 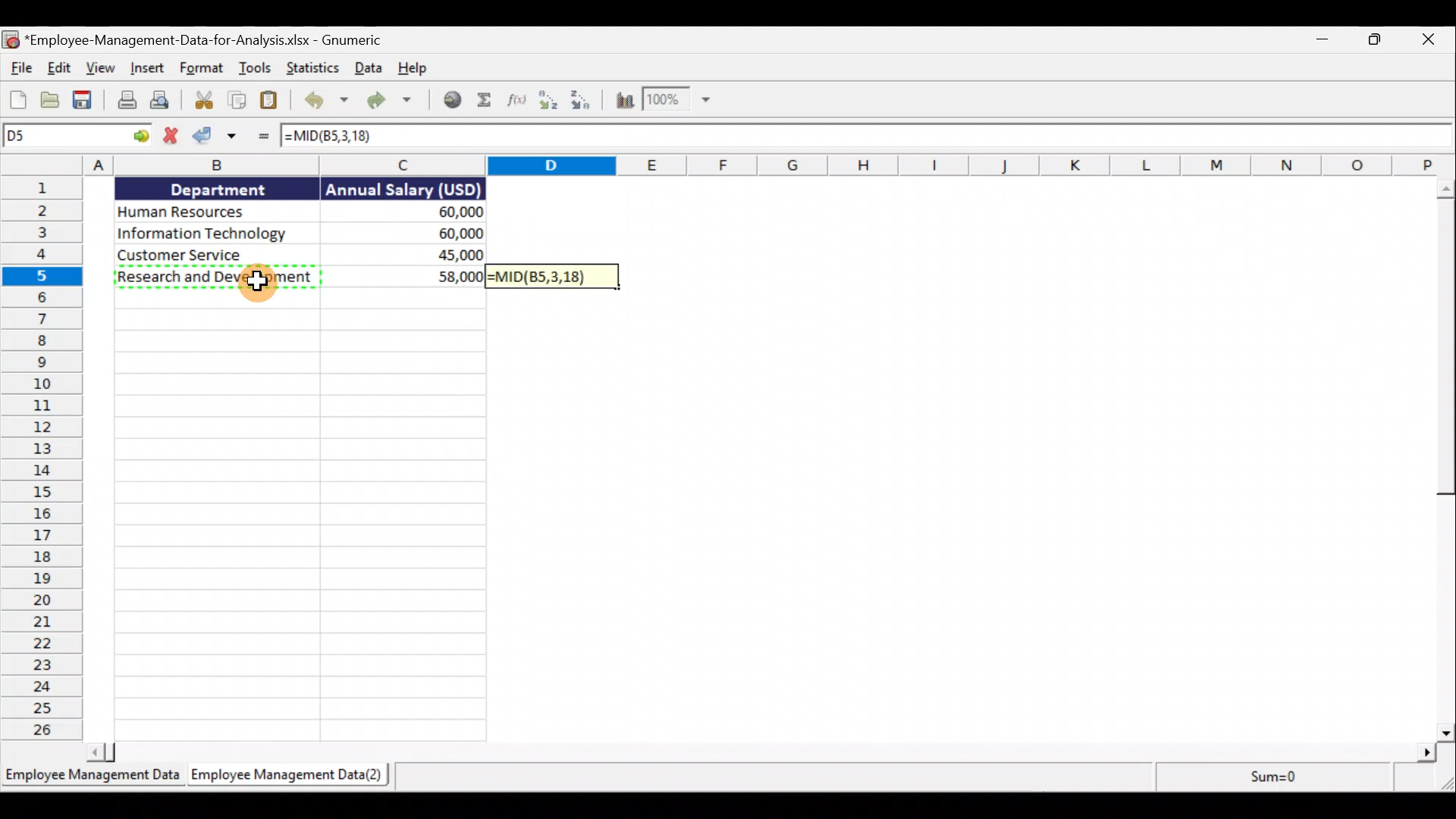 I want to click on Zoom, so click(x=686, y=102).